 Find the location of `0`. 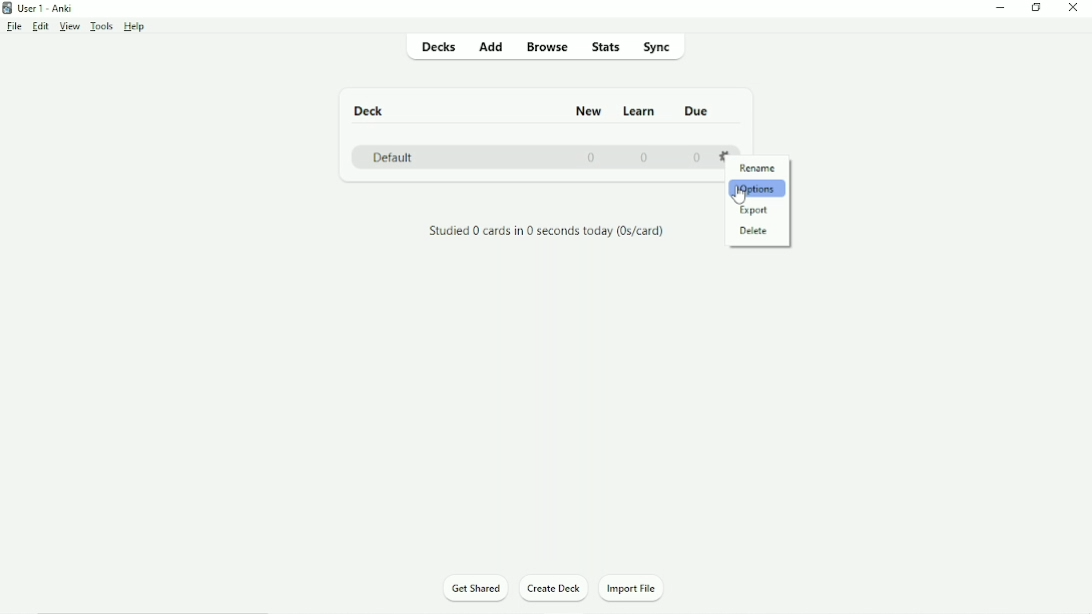

0 is located at coordinates (593, 157).